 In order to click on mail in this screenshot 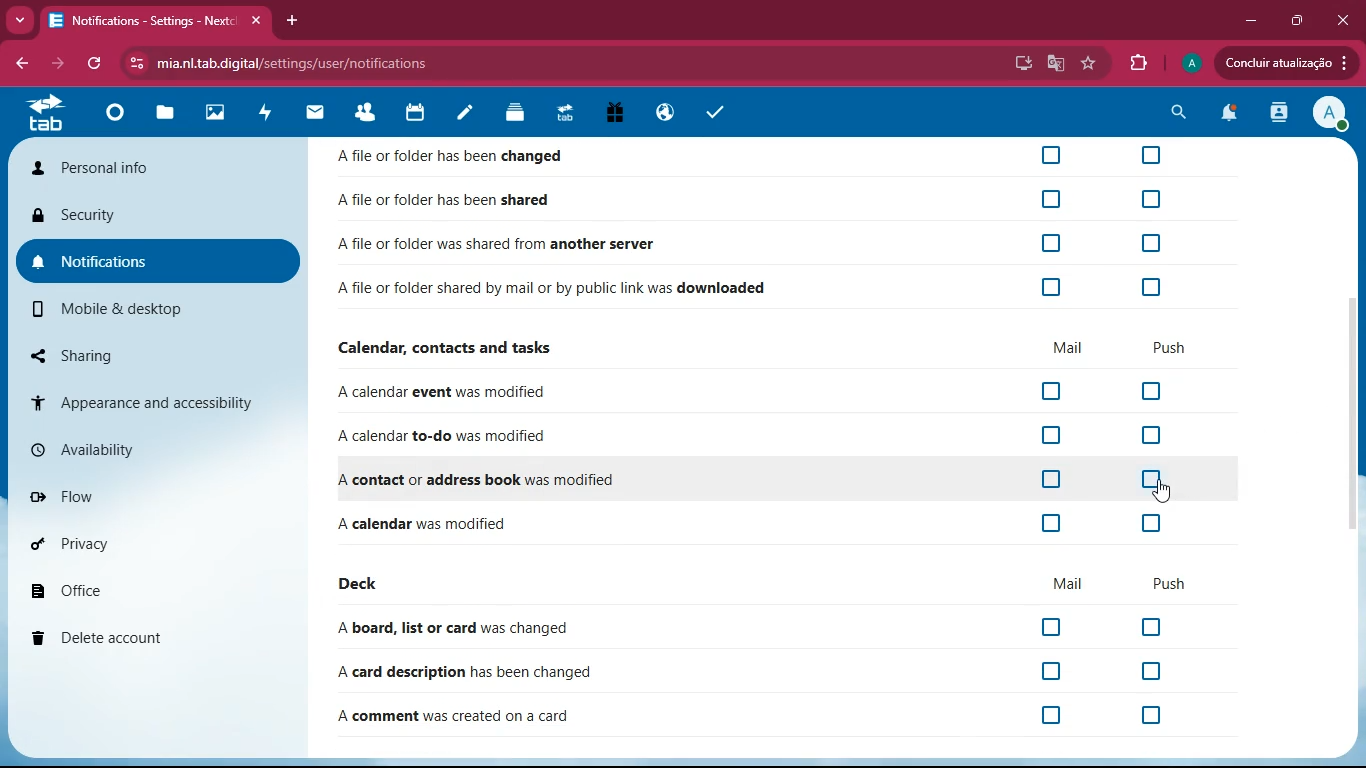, I will do `click(1064, 349)`.